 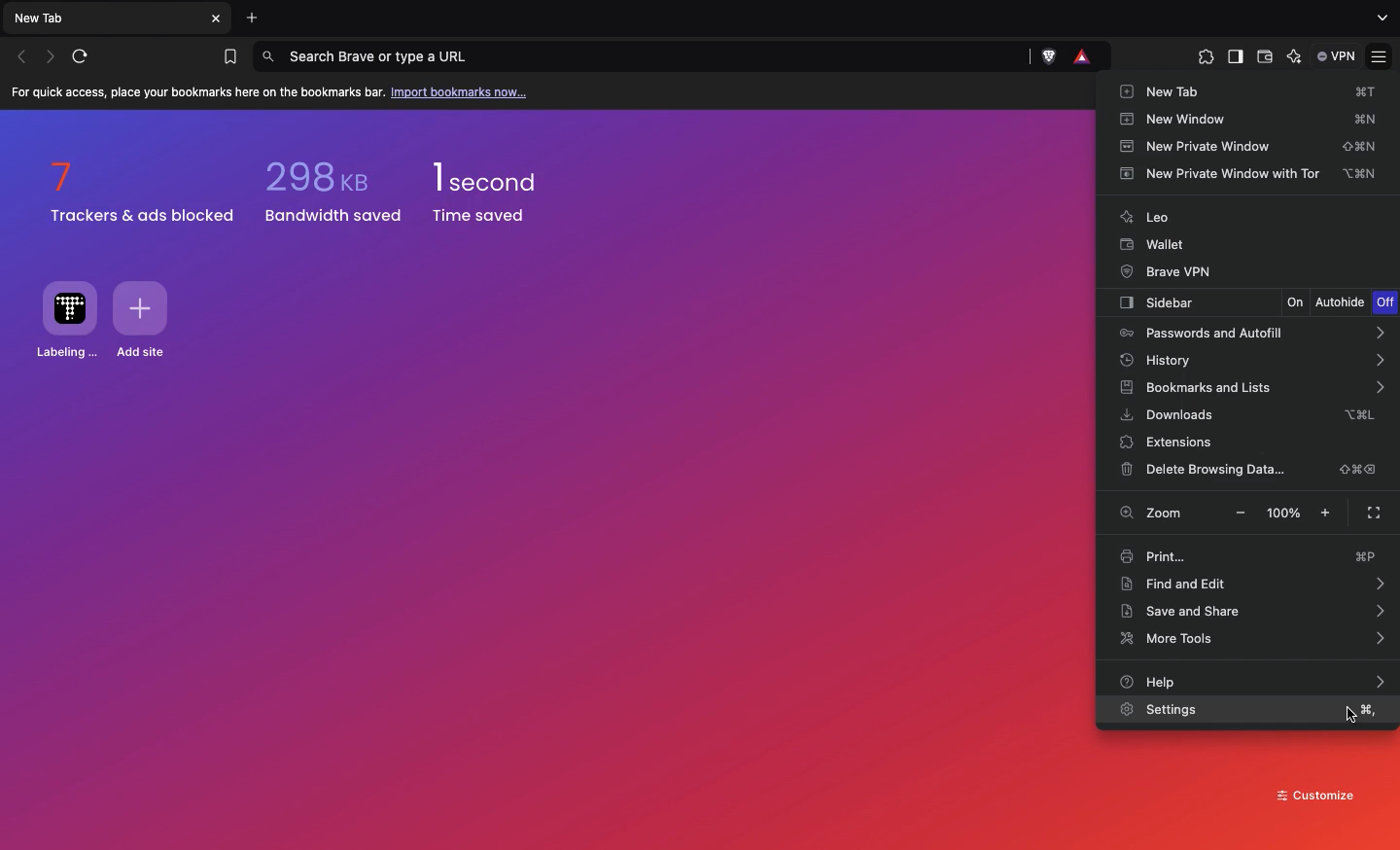 What do you see at coordinates (1294, 57) in the screenshot?
I see `leo AI` at bounding box center [1294, 57].